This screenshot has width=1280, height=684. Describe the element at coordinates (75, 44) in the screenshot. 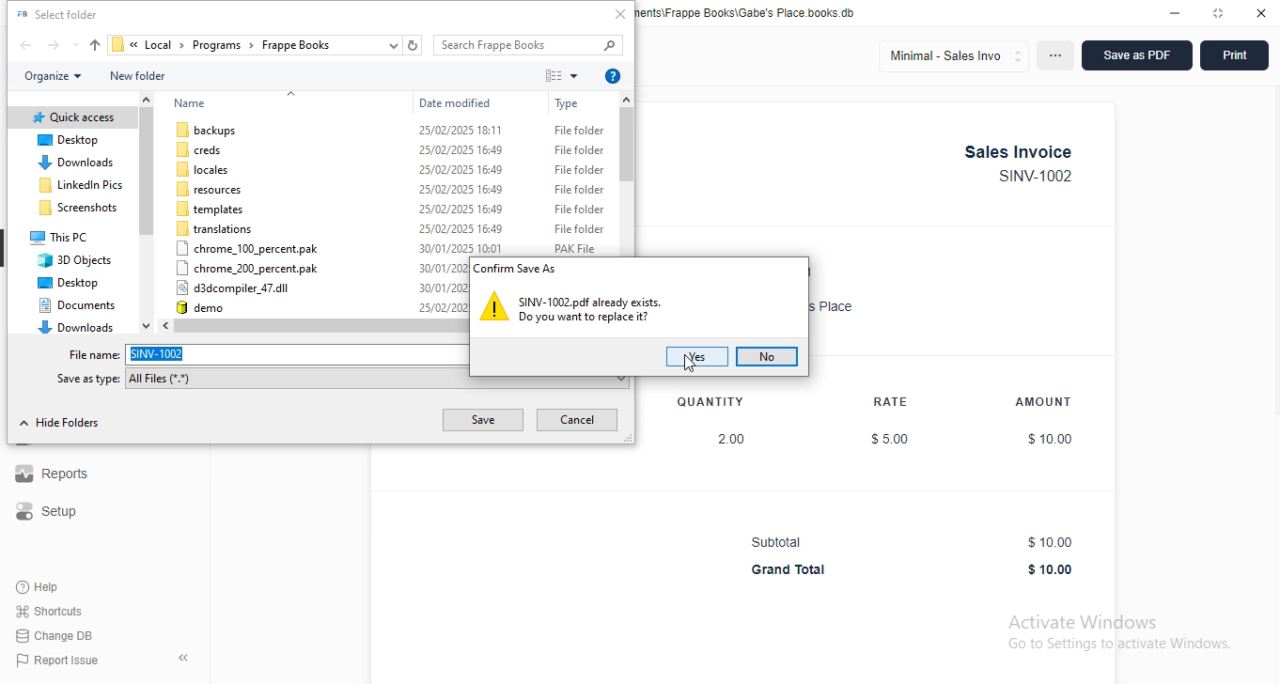

I see `recent locations` at that location.